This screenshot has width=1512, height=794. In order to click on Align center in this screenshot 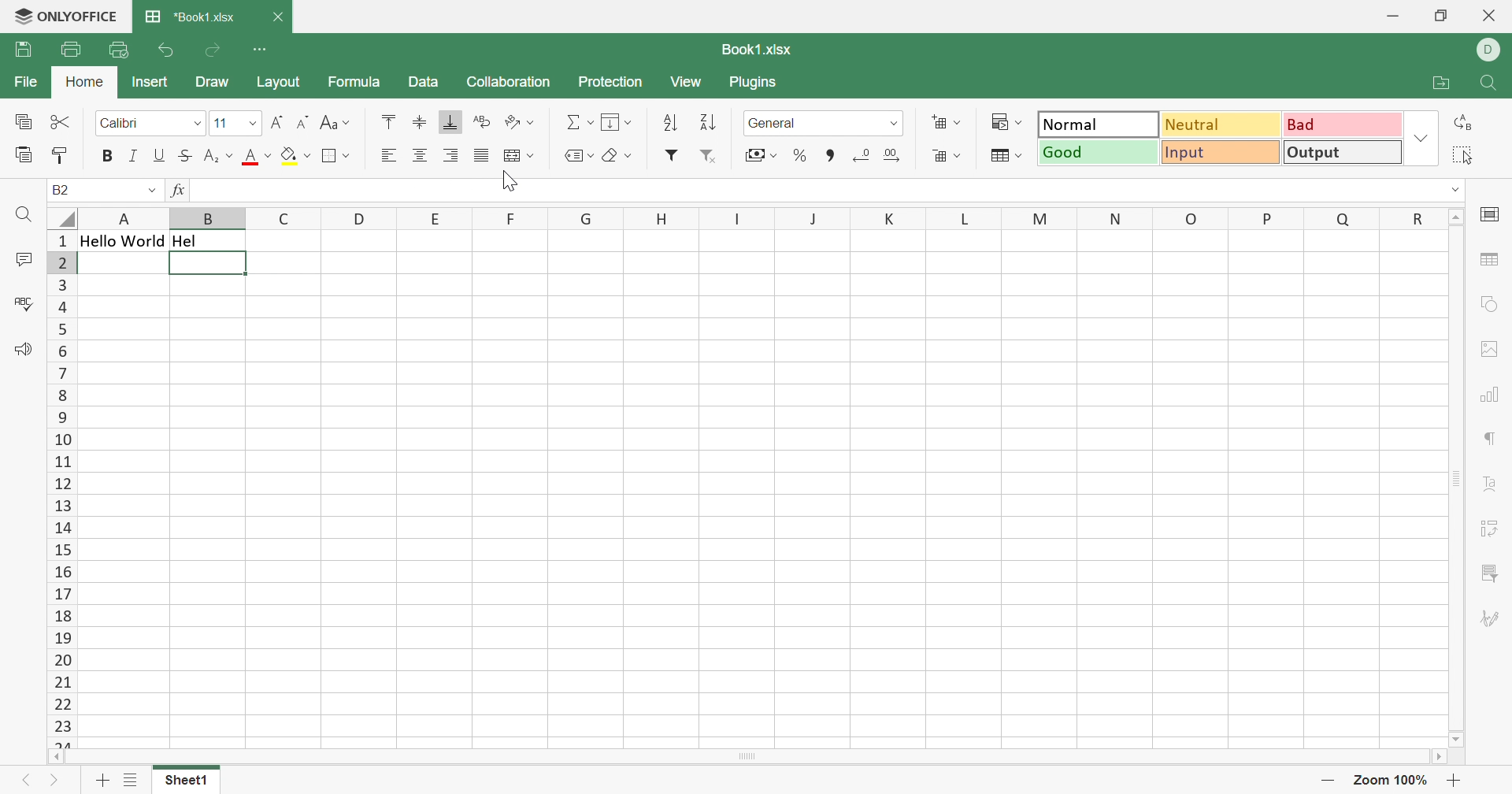, I will do `click(421, 156)`.